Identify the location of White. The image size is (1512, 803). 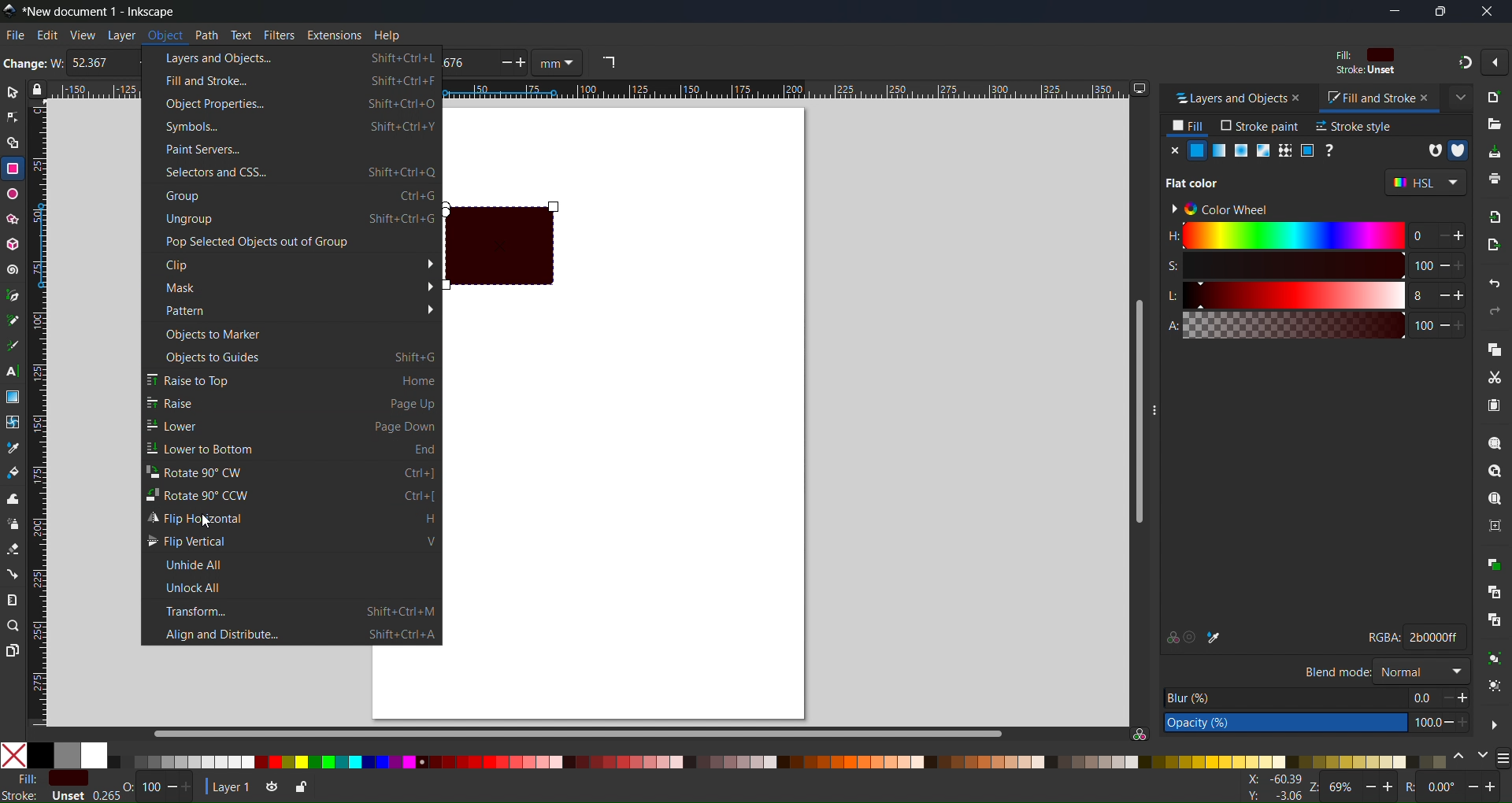
(94, 755).